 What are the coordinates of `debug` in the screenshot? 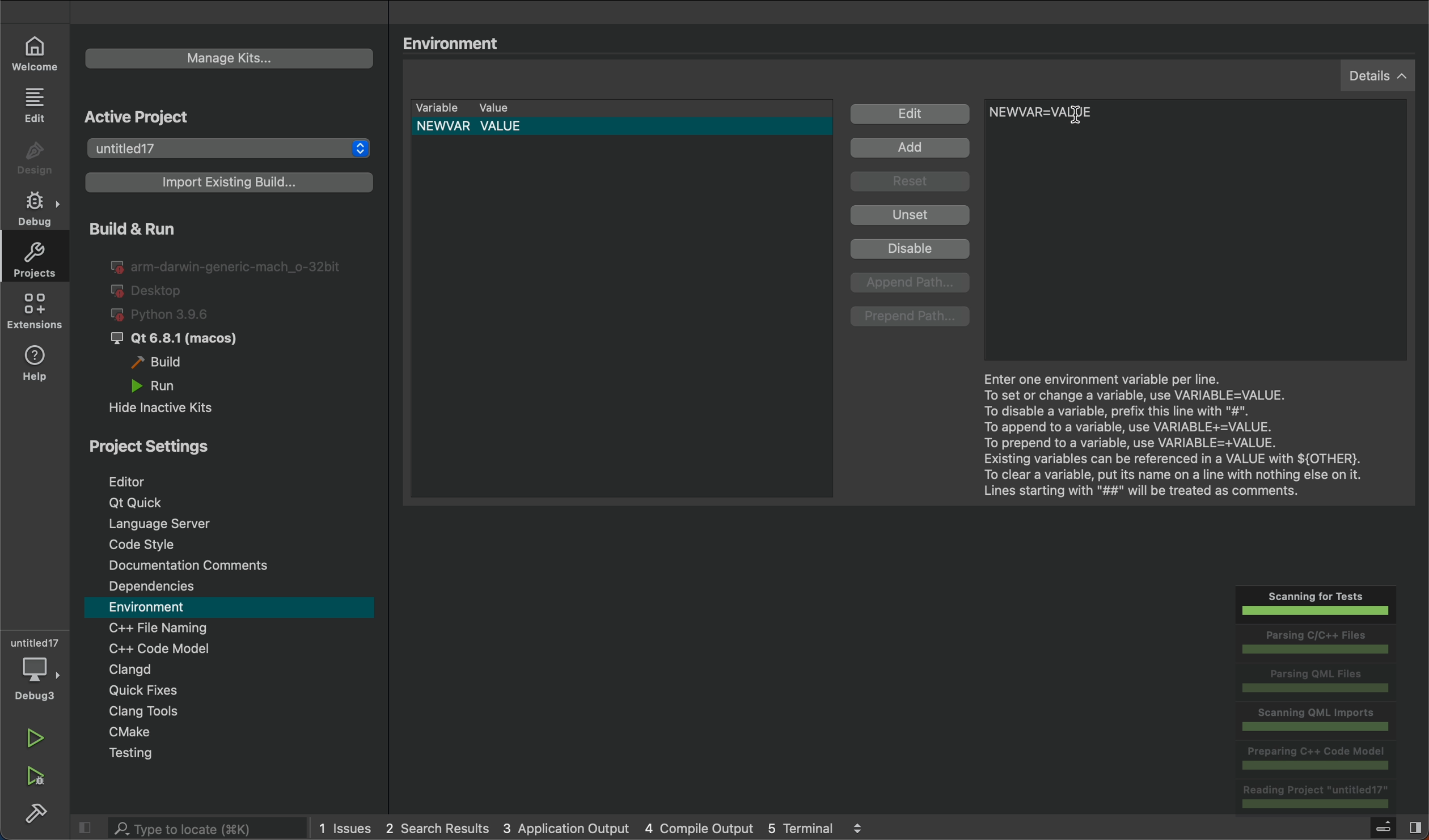 It's located at (39, 669).